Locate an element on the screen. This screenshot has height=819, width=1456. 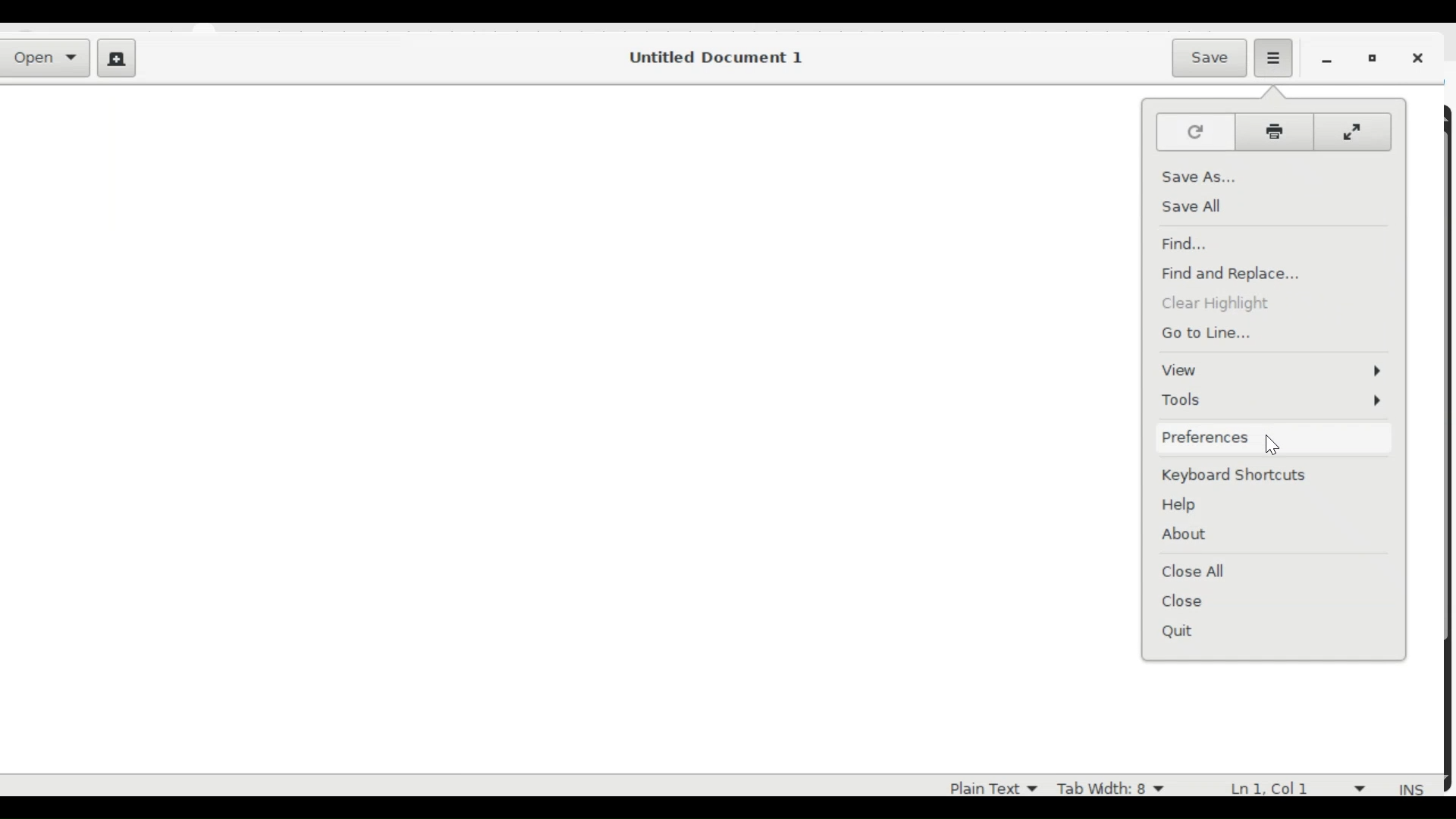
Close is located at coordinates (1422, 60).